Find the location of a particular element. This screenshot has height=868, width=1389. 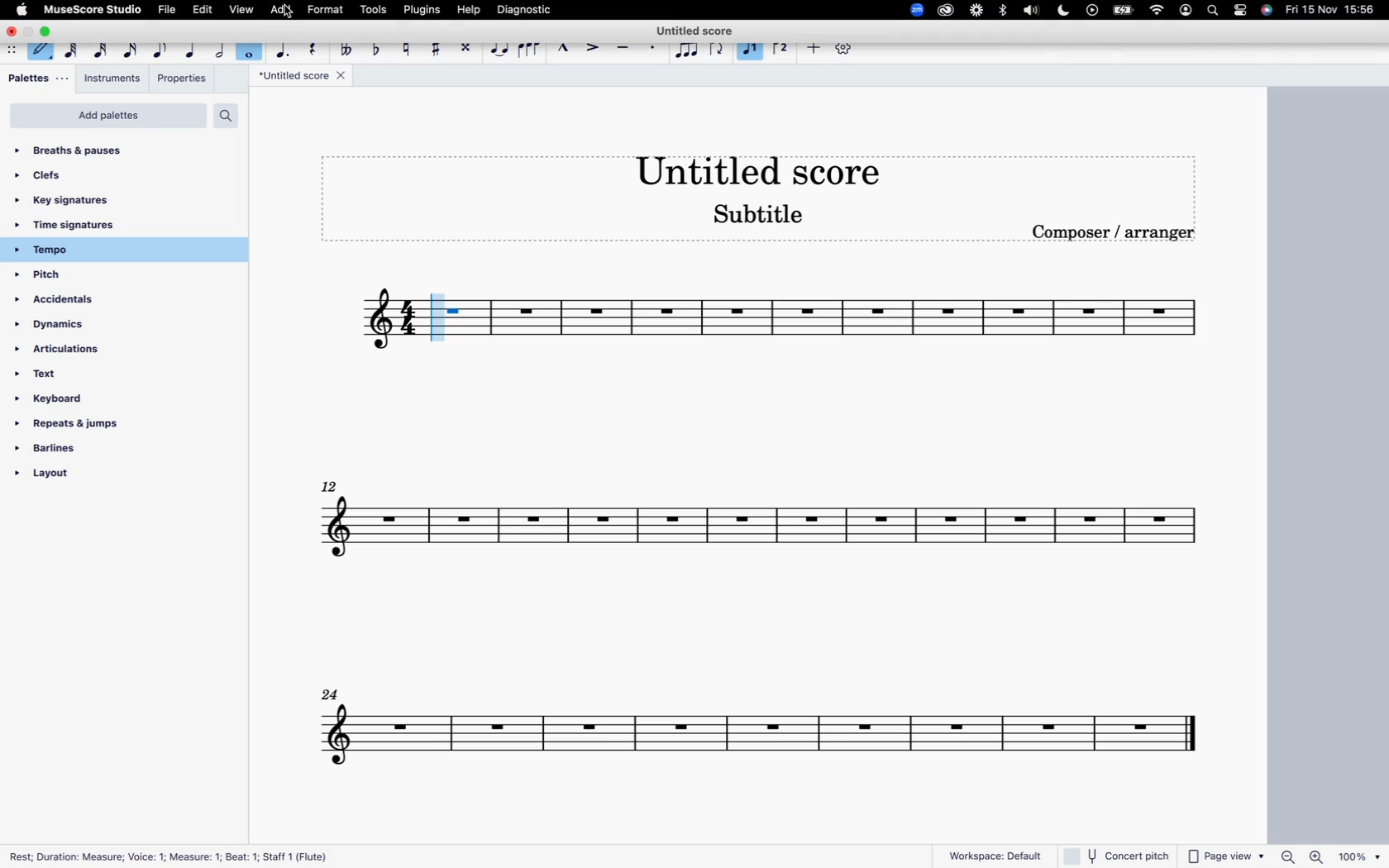

instruments is located at coordinates (113, 80).